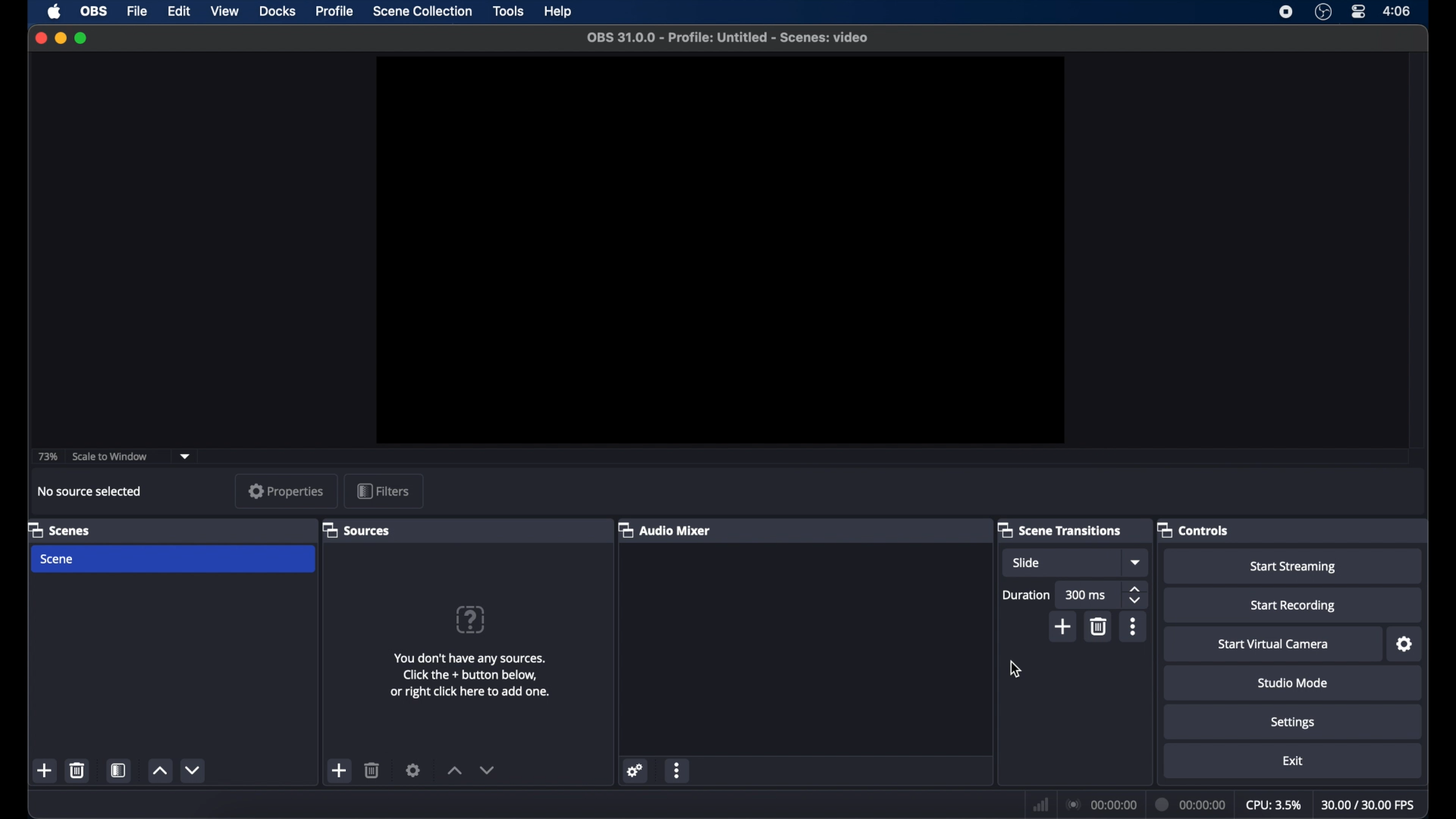 The height and width of the screenshot is (819, 1456). I want to click on increment, so click(159, 770).